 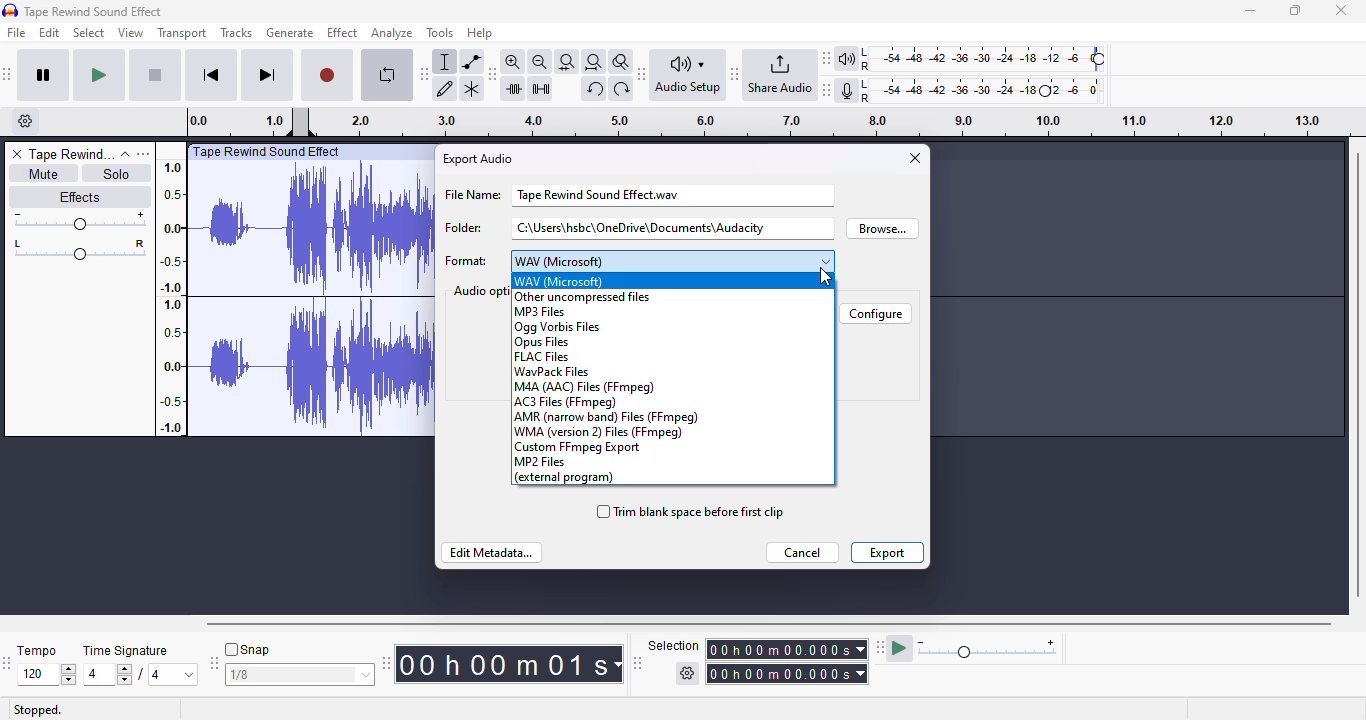 What do you see at coordinates (120, 173) in the screenshot?
I see `solo` at bounding box center [120, 173].